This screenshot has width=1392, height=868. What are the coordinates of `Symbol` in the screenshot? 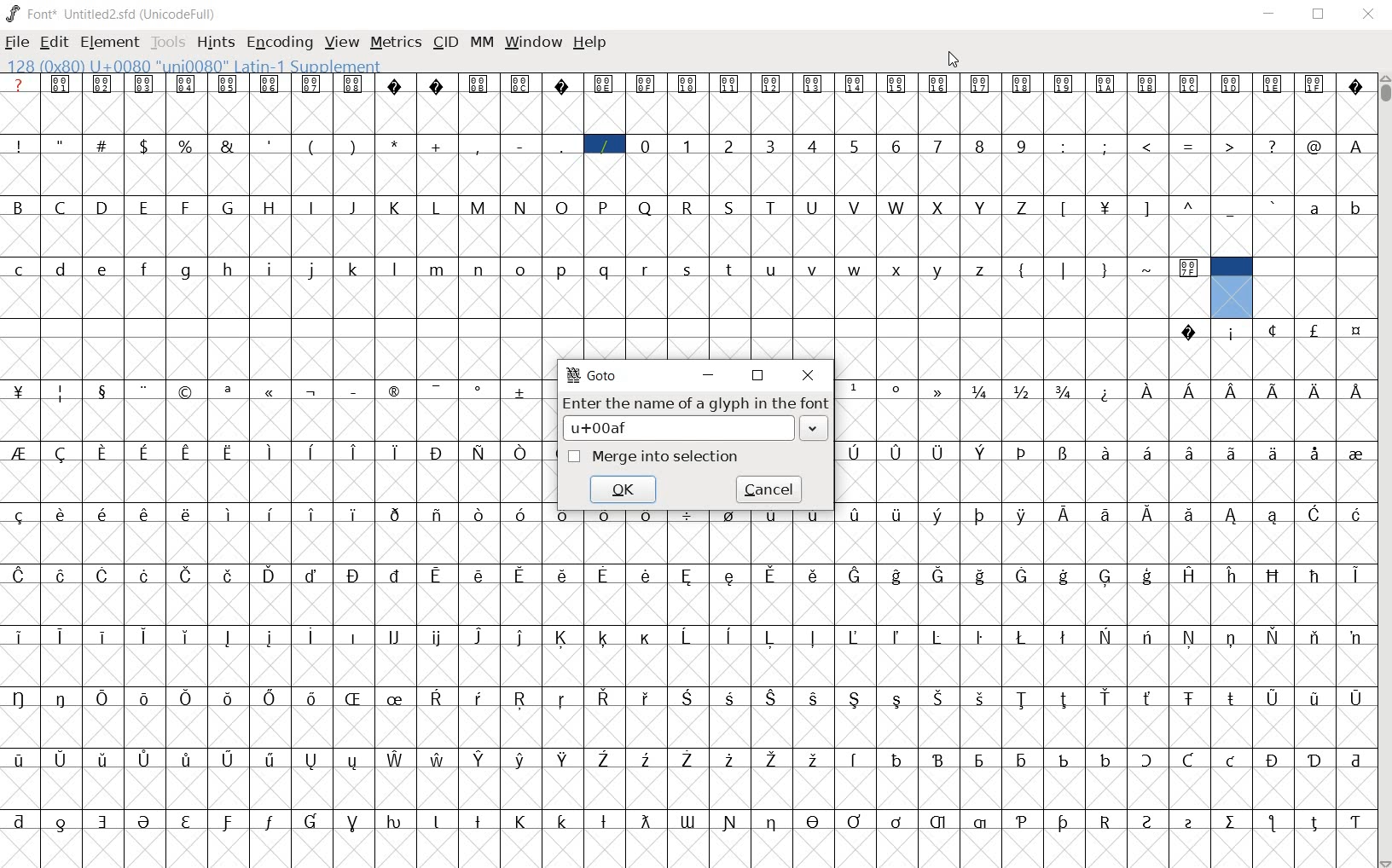 It's located at (1147, 390).